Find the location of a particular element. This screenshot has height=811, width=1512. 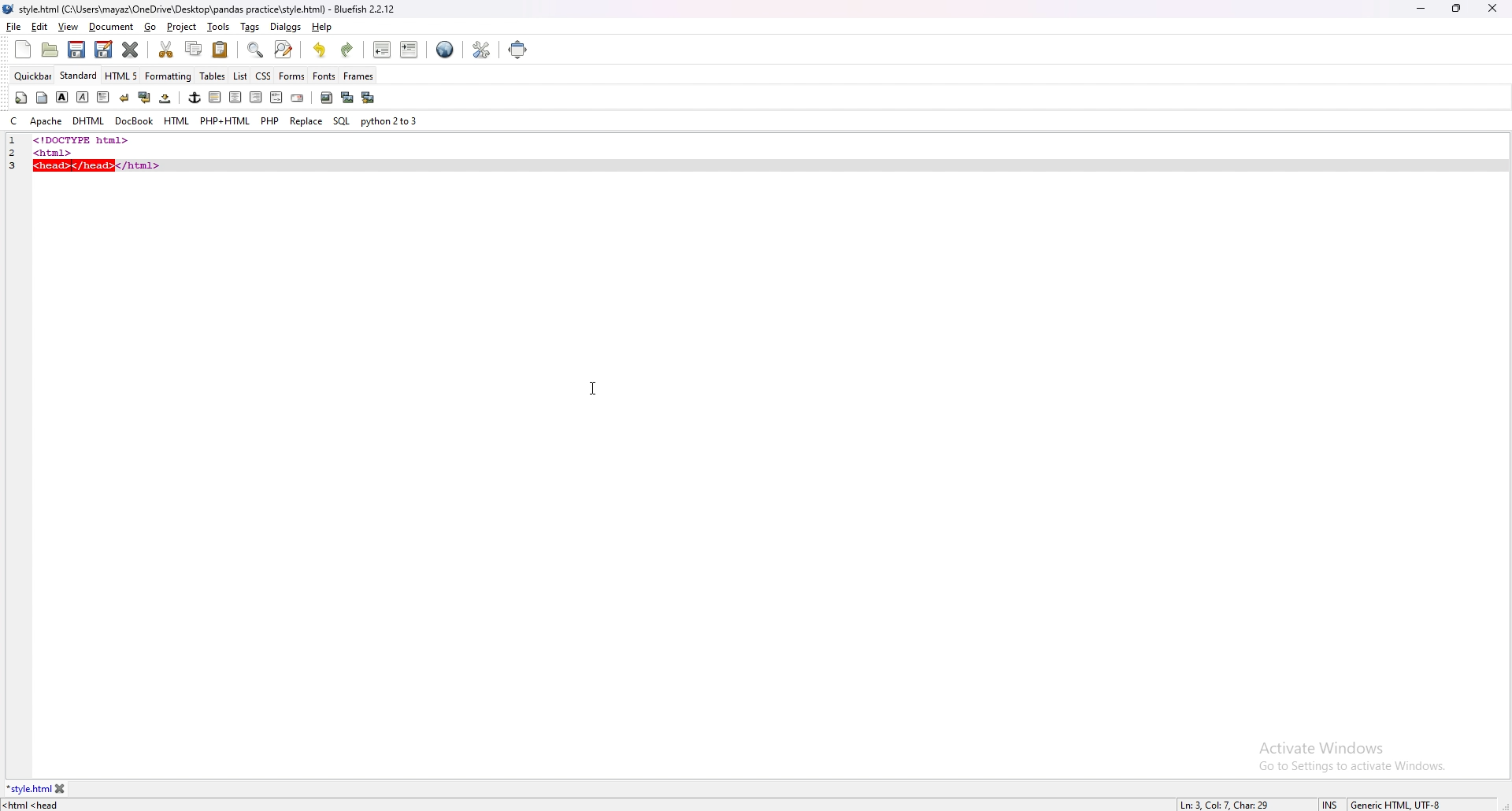

right indent is located at coordinates (254, 97).